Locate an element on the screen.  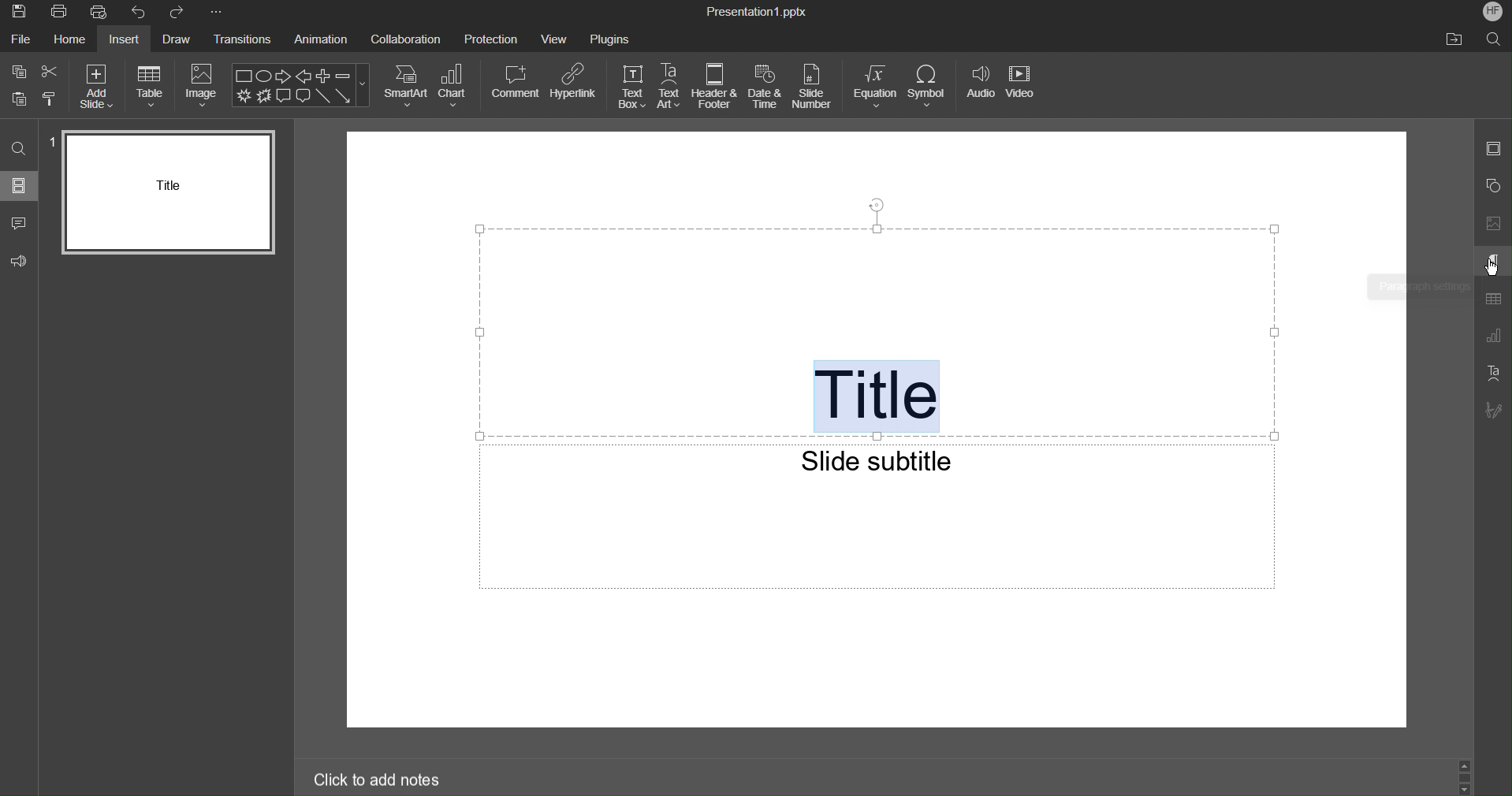
Plugins is located at coordinates (609, 39).